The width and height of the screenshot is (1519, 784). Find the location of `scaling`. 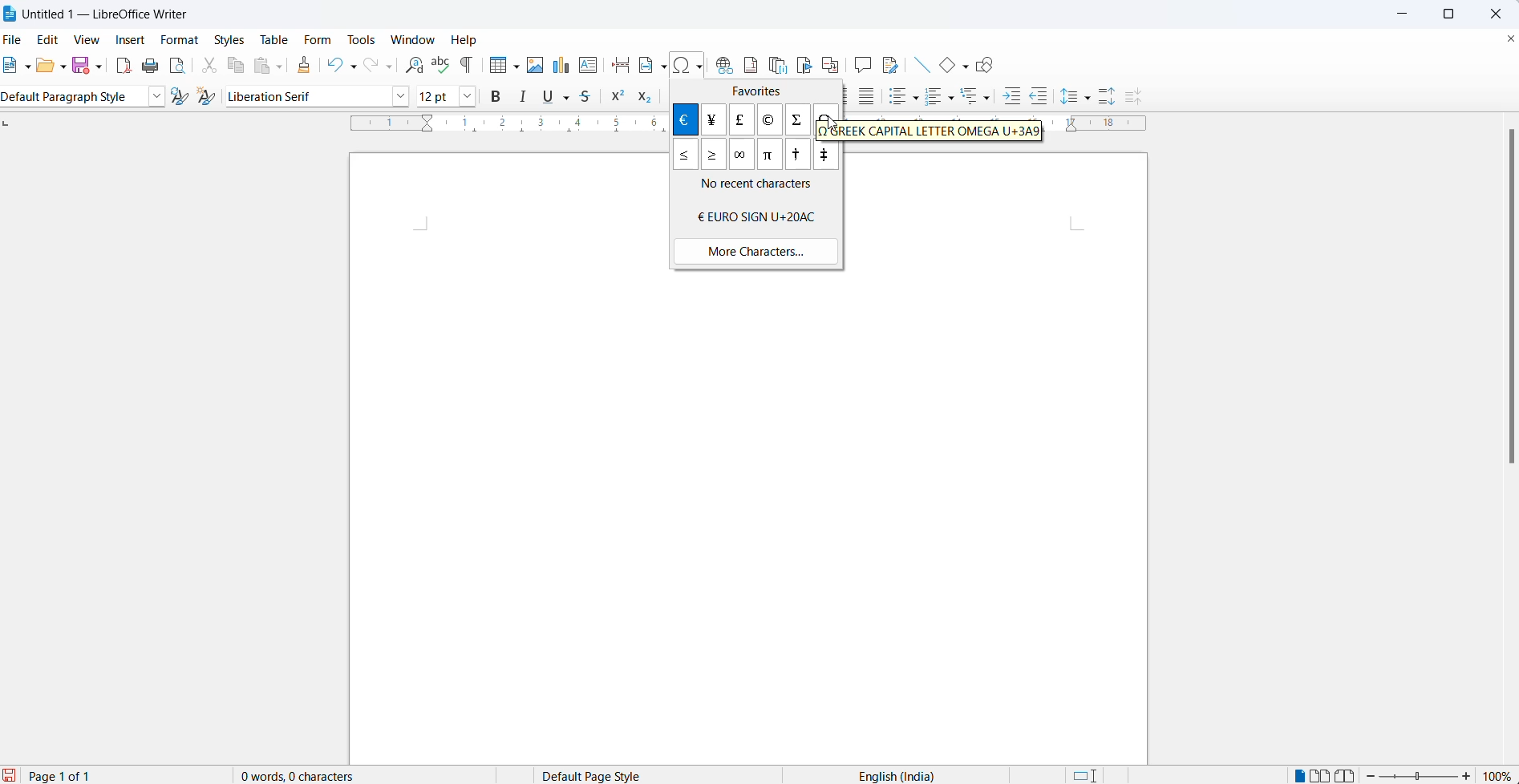

scaling is located at coordinates (495, 125).